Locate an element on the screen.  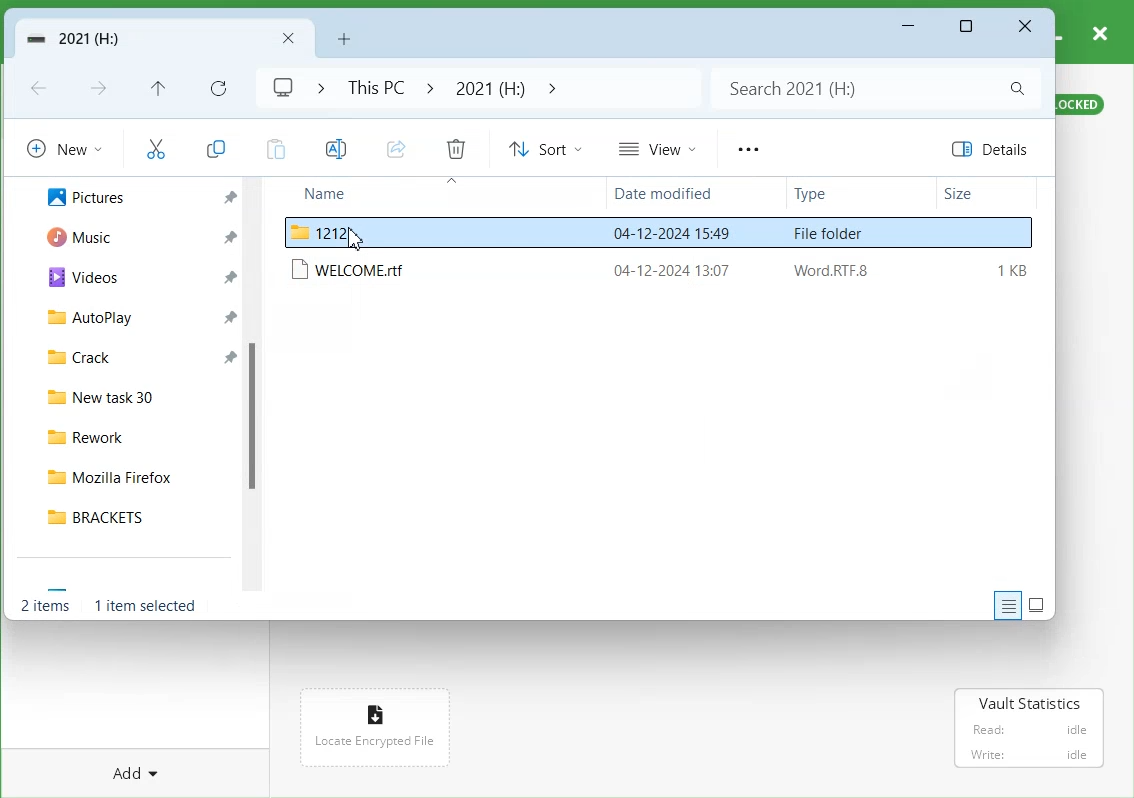
Pin a file is located at coordinates (229, 237).